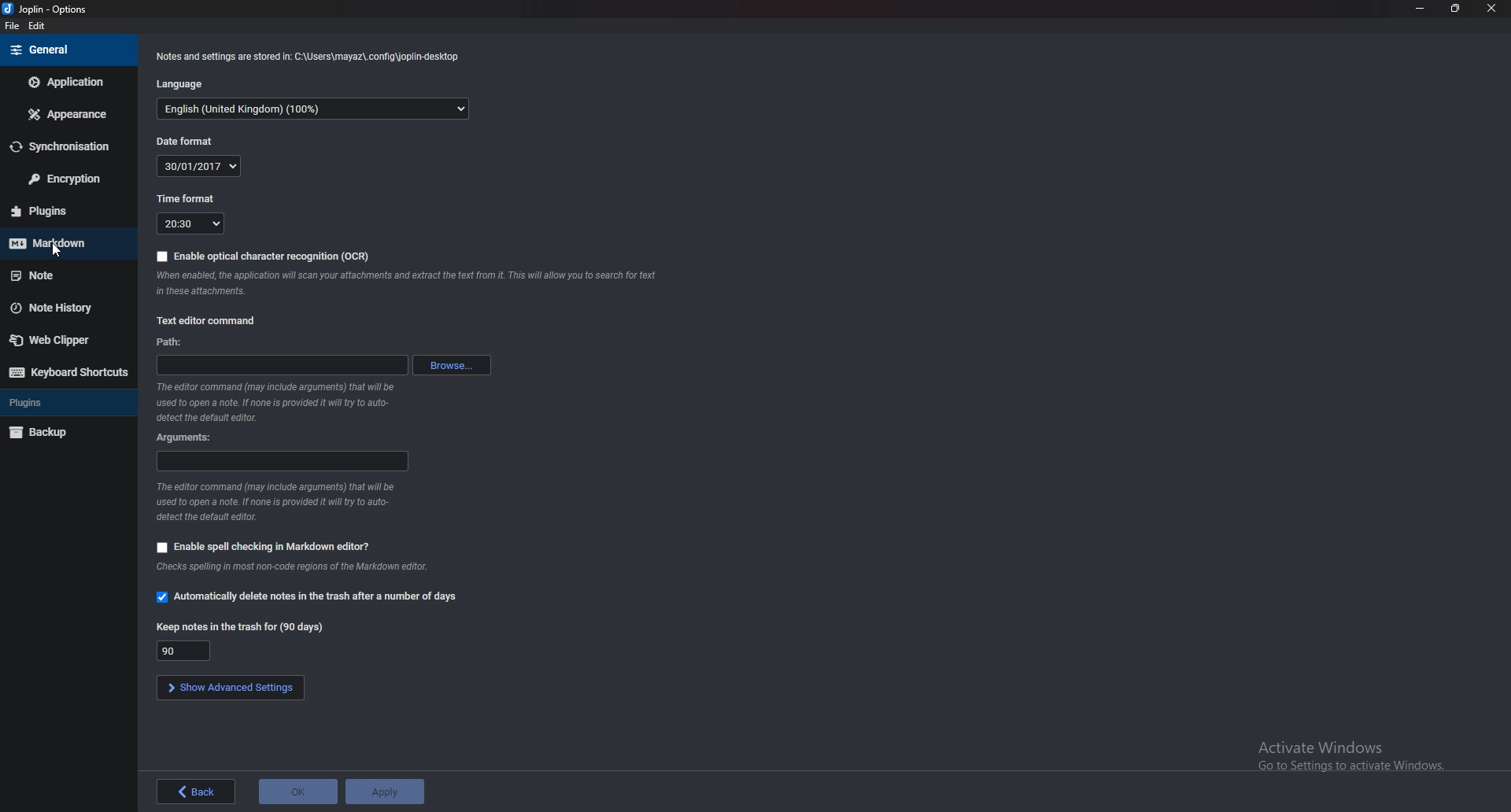 The image size is (1511, 812). I want to click on Application, so click(65, 83).